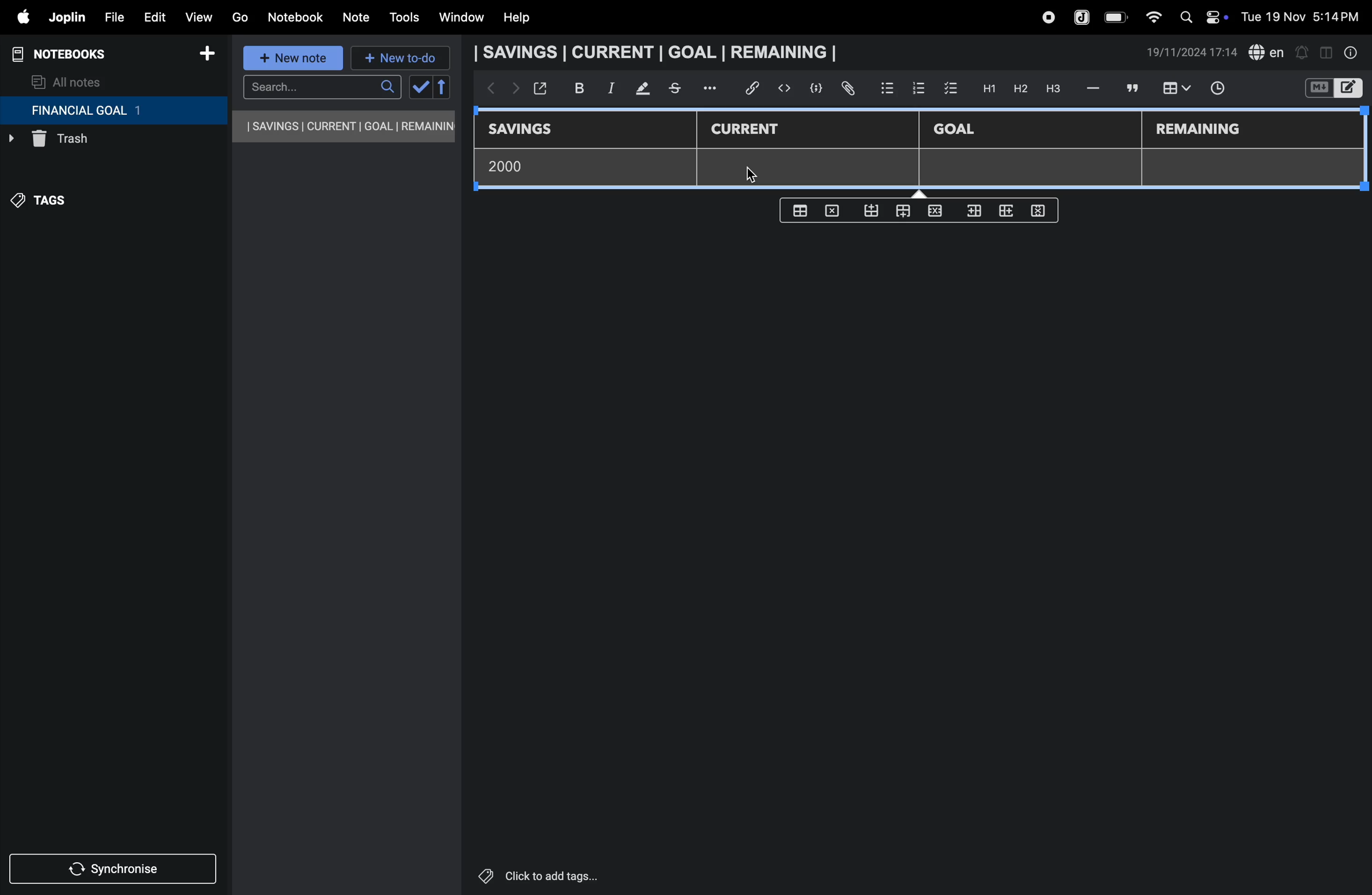 The image size is (1372, 895). What do you see at coordinates (812, 88) in the screenshot?
I see `code block` at bounding box center [812, 88].